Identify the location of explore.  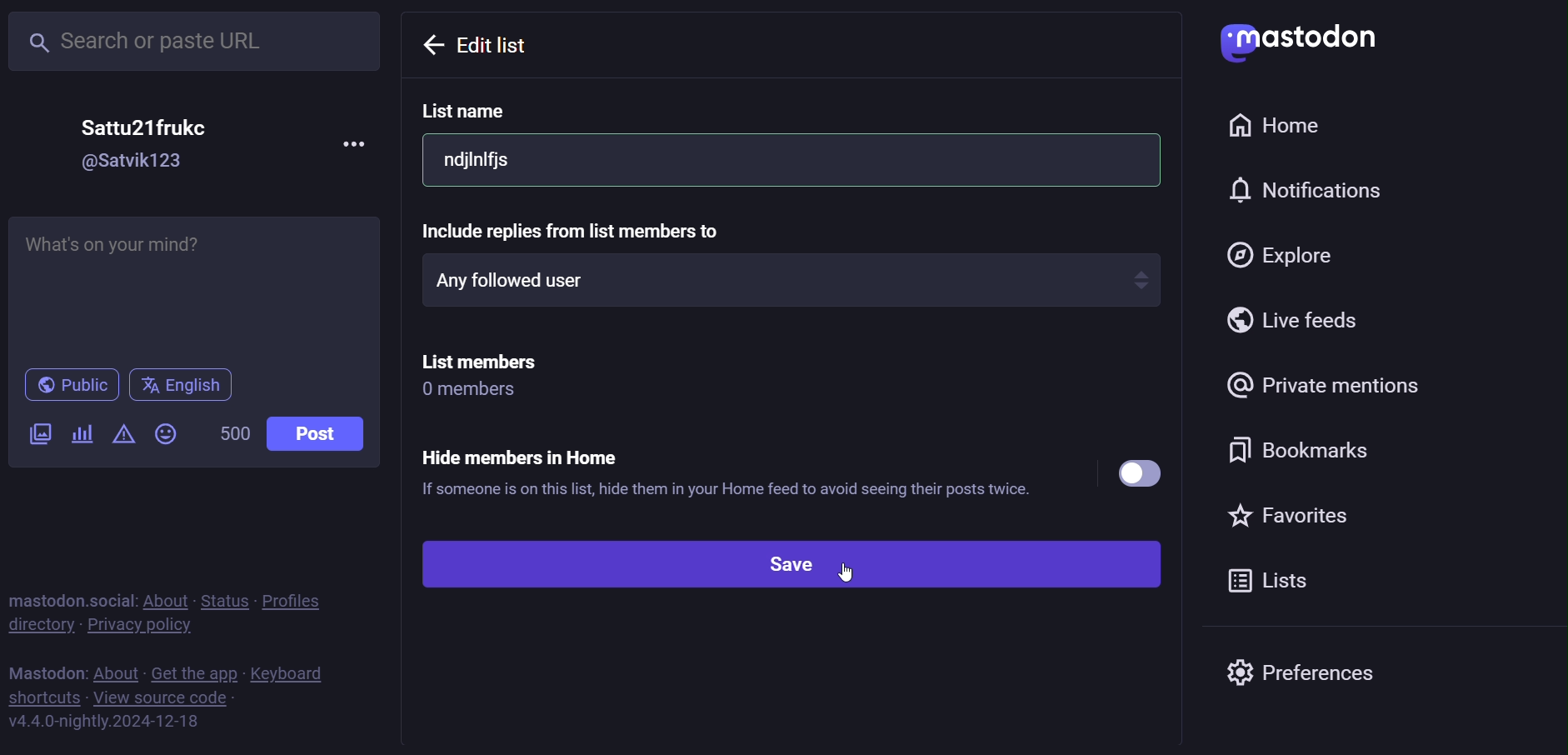
(1278, 254).